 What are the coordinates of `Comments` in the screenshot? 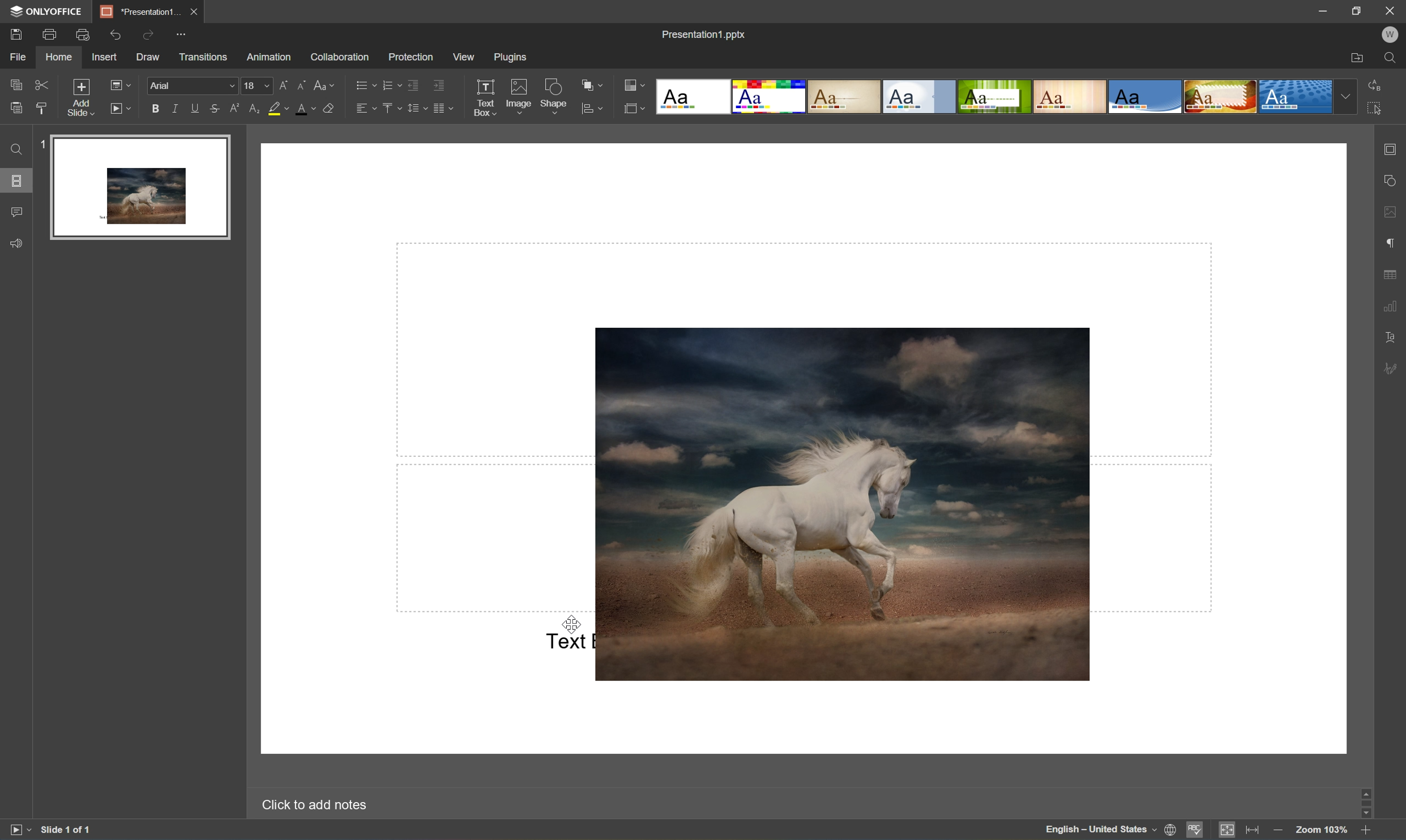 It's located at (17, 212).